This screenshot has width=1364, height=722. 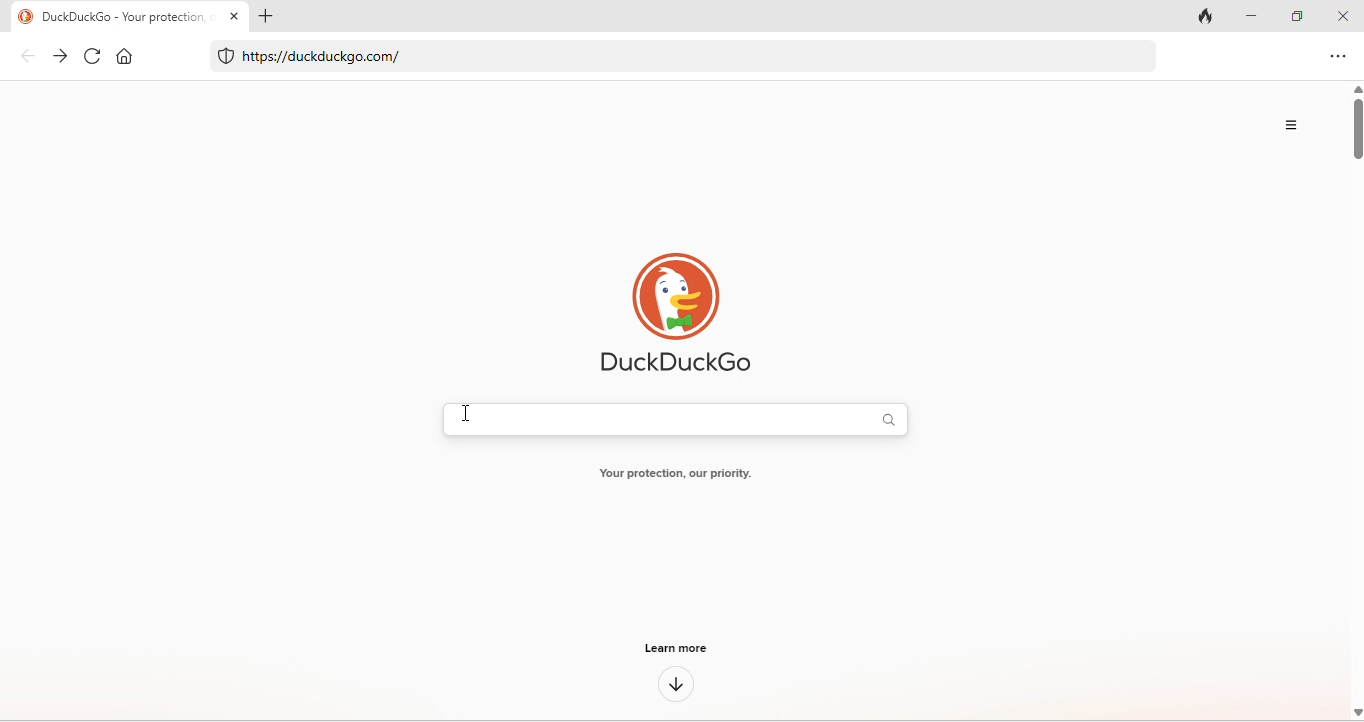 I want to click on search bar, so click(x=661, y=419).